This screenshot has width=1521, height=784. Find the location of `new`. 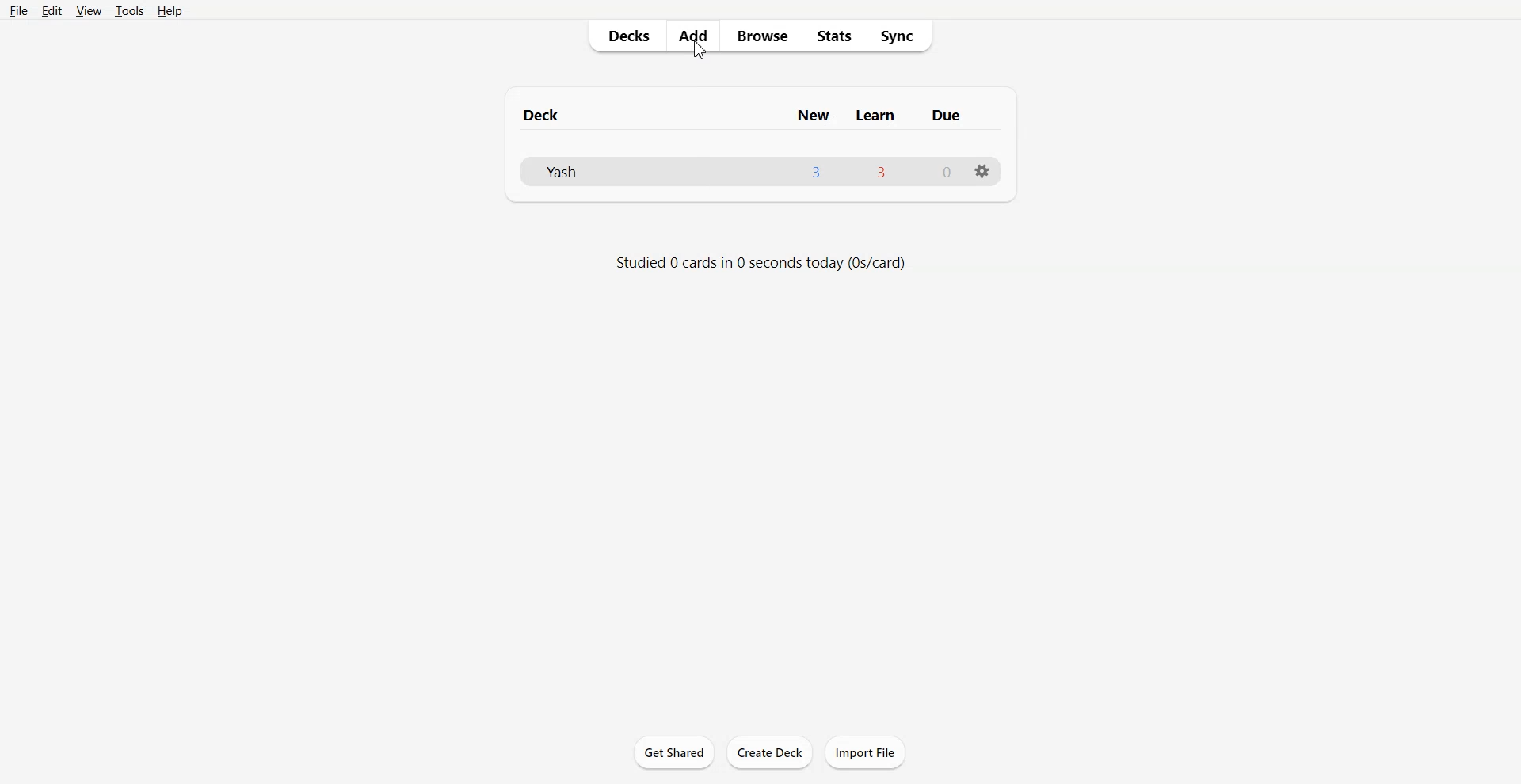

new is located at coordinates (814, 116).